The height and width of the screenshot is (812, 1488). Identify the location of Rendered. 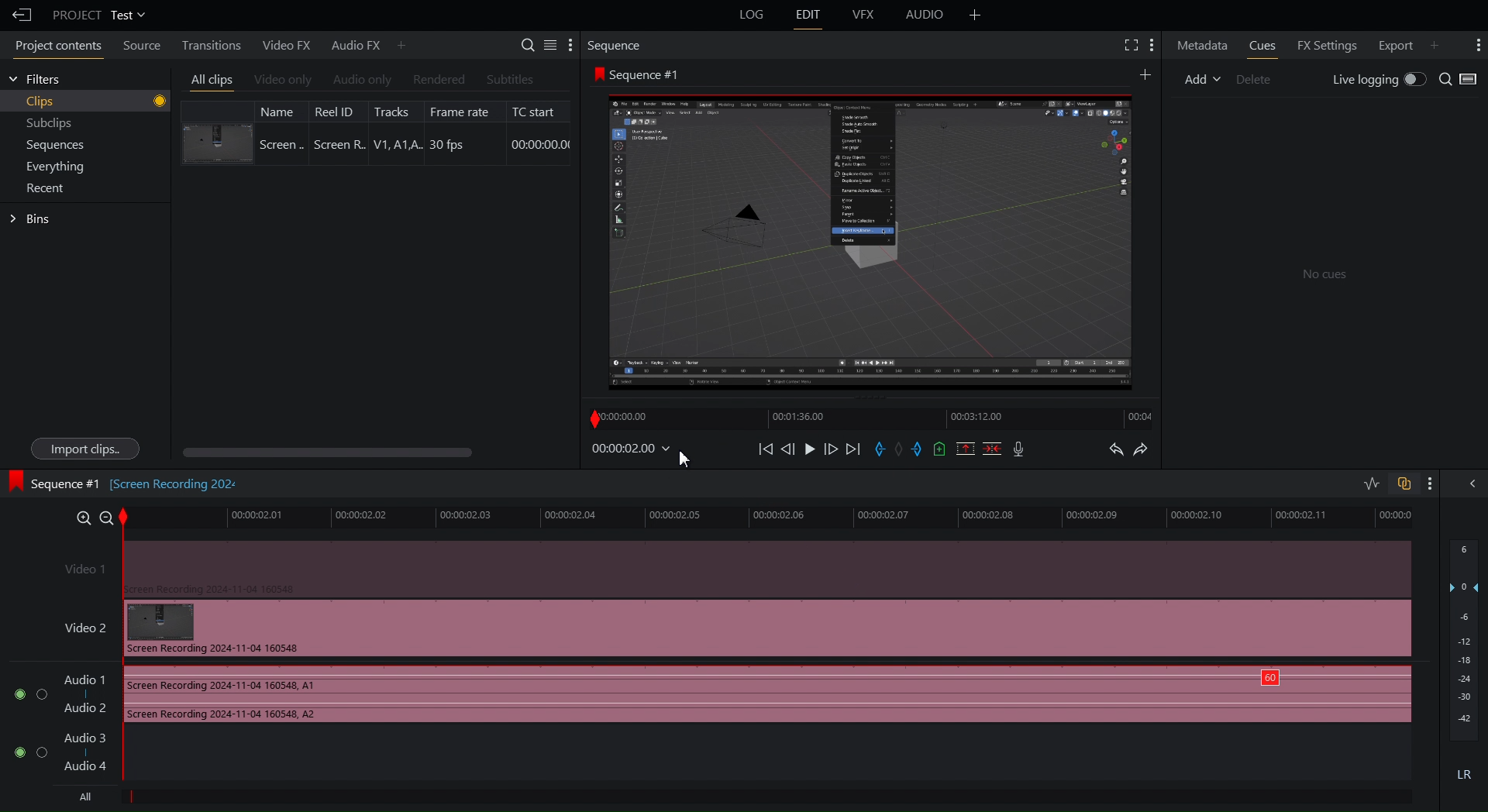
(437, 80).